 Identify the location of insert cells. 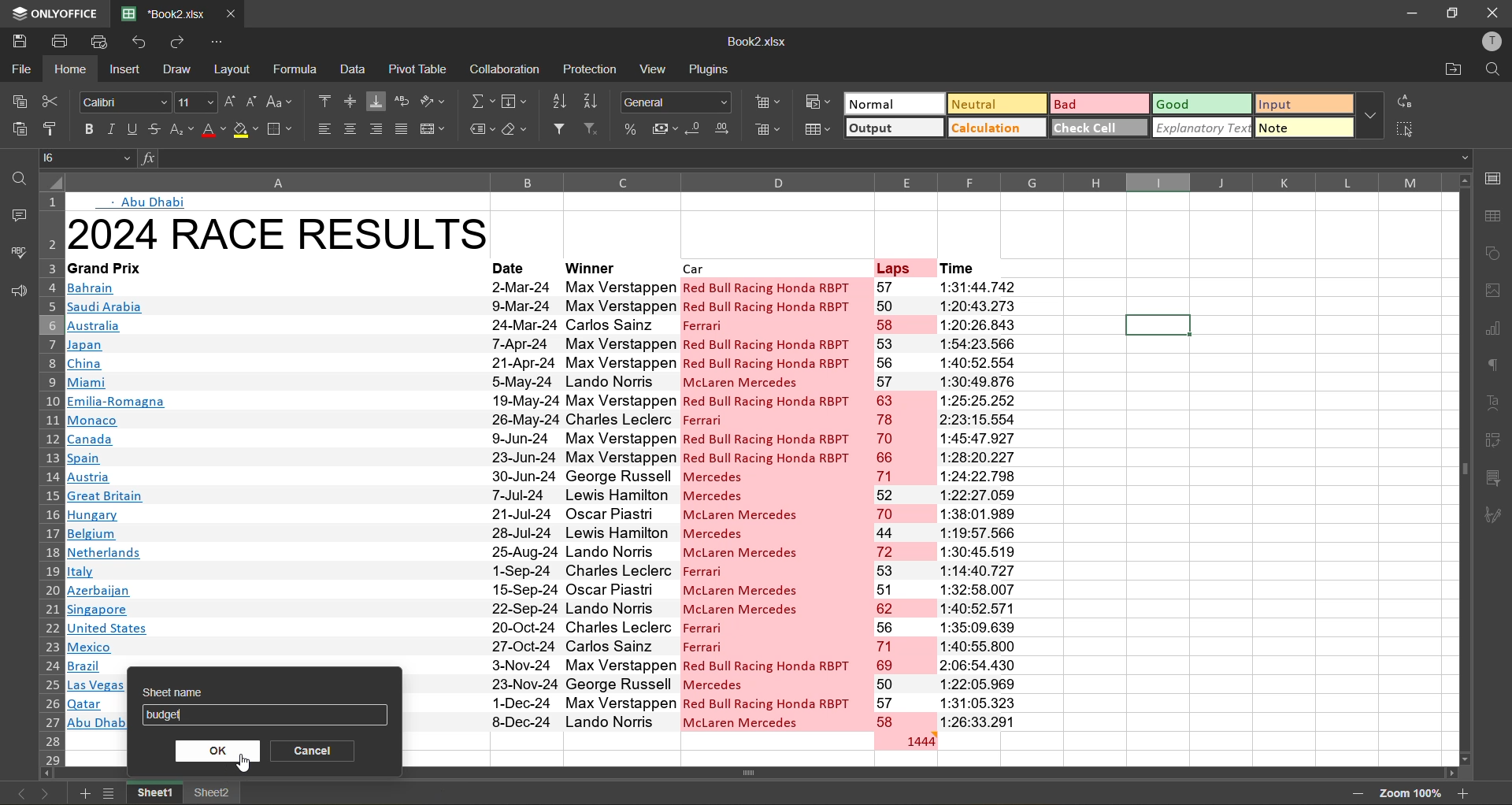
(768, 103).